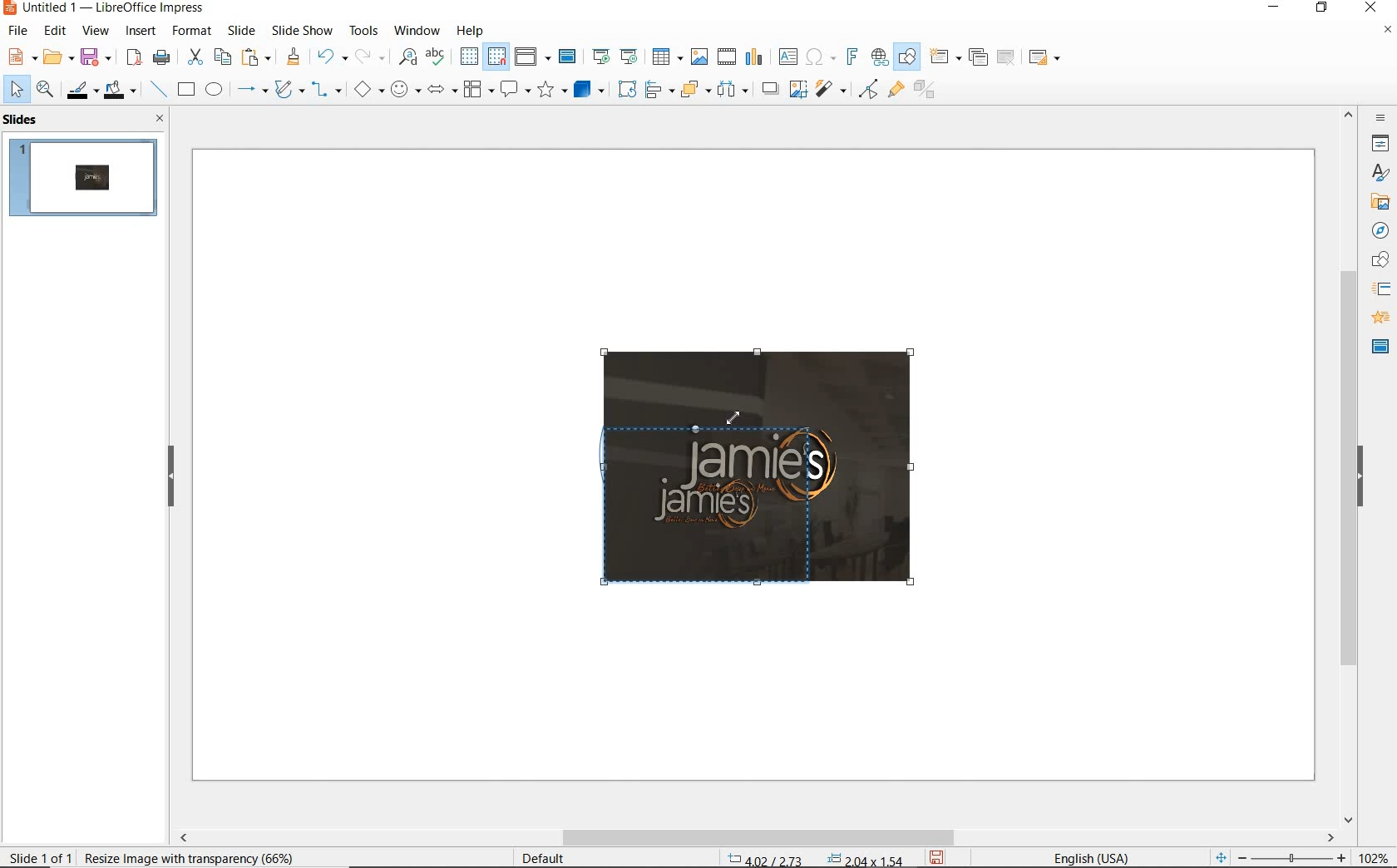  I want to click on sidebar settings, so click(1379, 118).